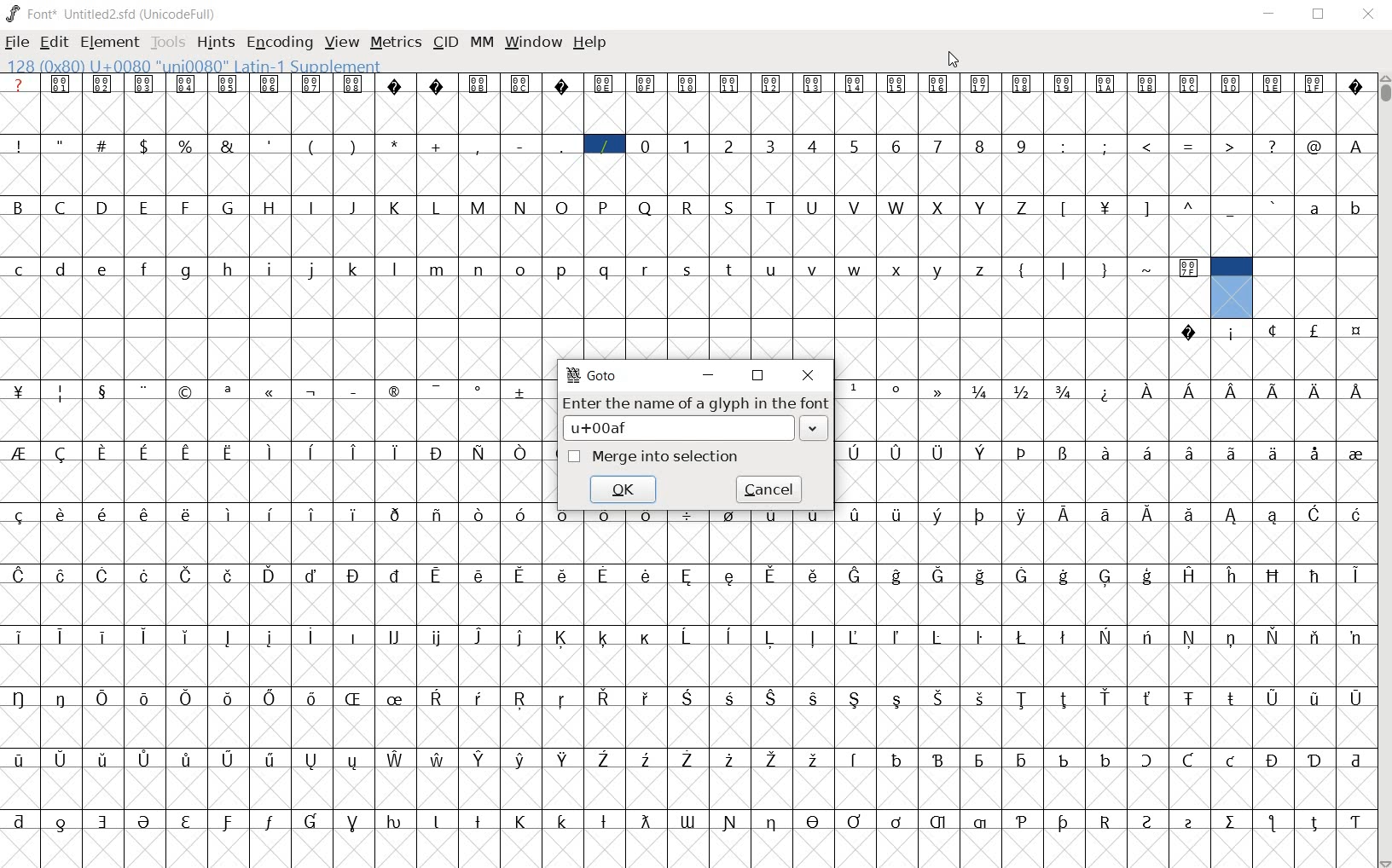  What do you see at coordinates (687, 819) in the screenshot?
I see `Symbol` at bounding box center [687, 819].